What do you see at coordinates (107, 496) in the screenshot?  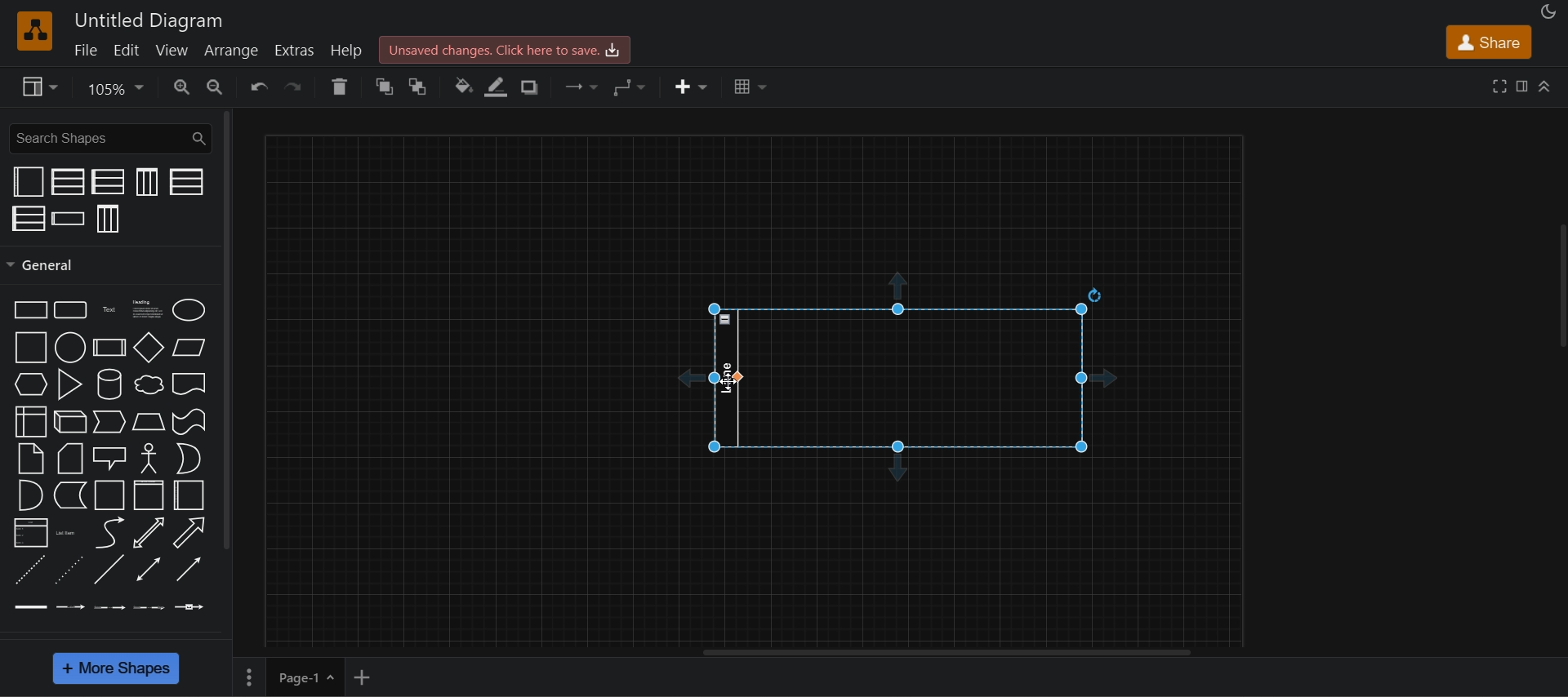 I see `container` at bounding box center [107, 496].